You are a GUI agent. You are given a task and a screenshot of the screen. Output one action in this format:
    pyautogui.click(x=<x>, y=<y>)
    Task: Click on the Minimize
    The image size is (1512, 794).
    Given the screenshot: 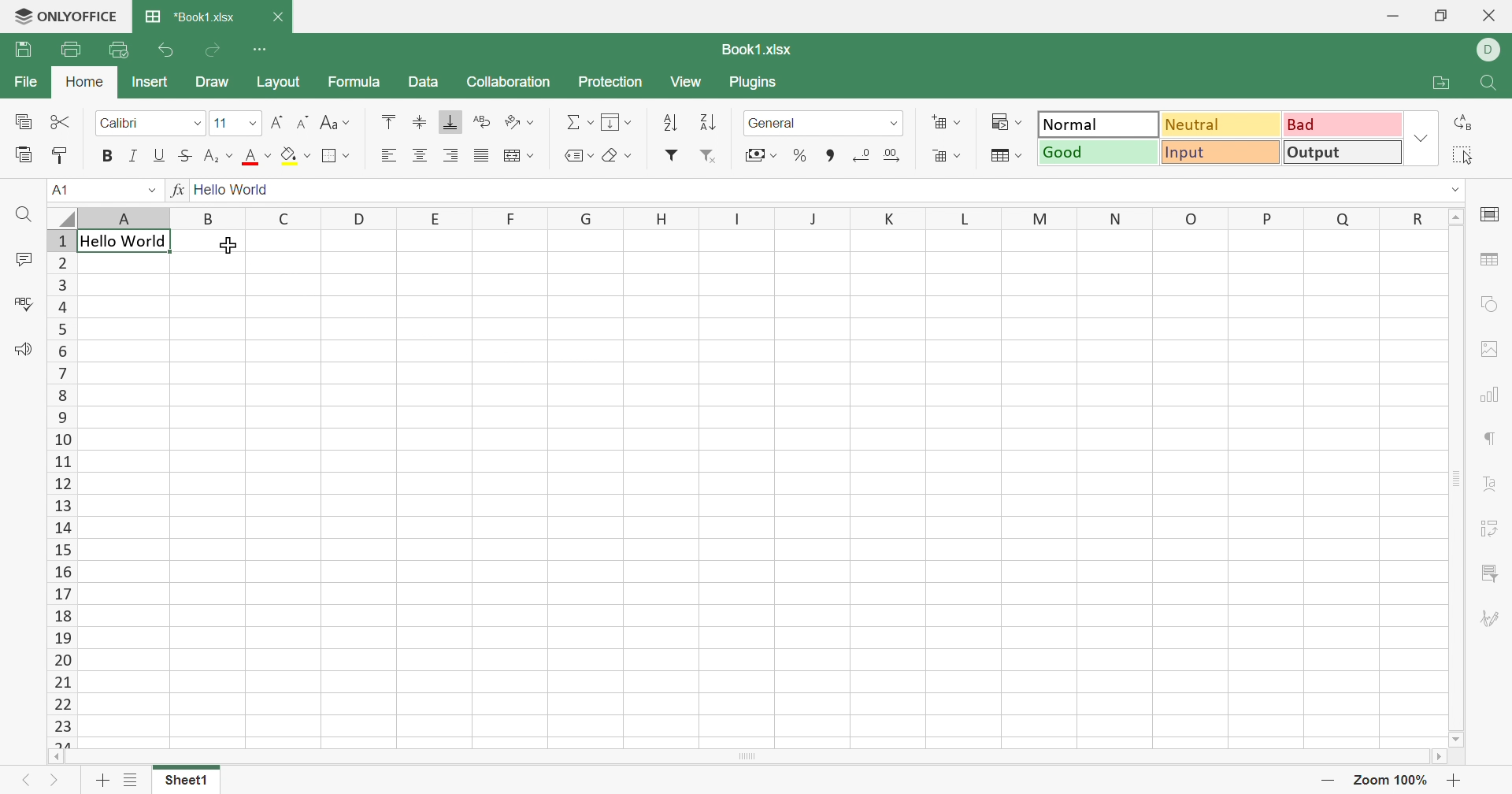 What is the action you would take?
    pyautogui.click(x=1392, y=15)
    